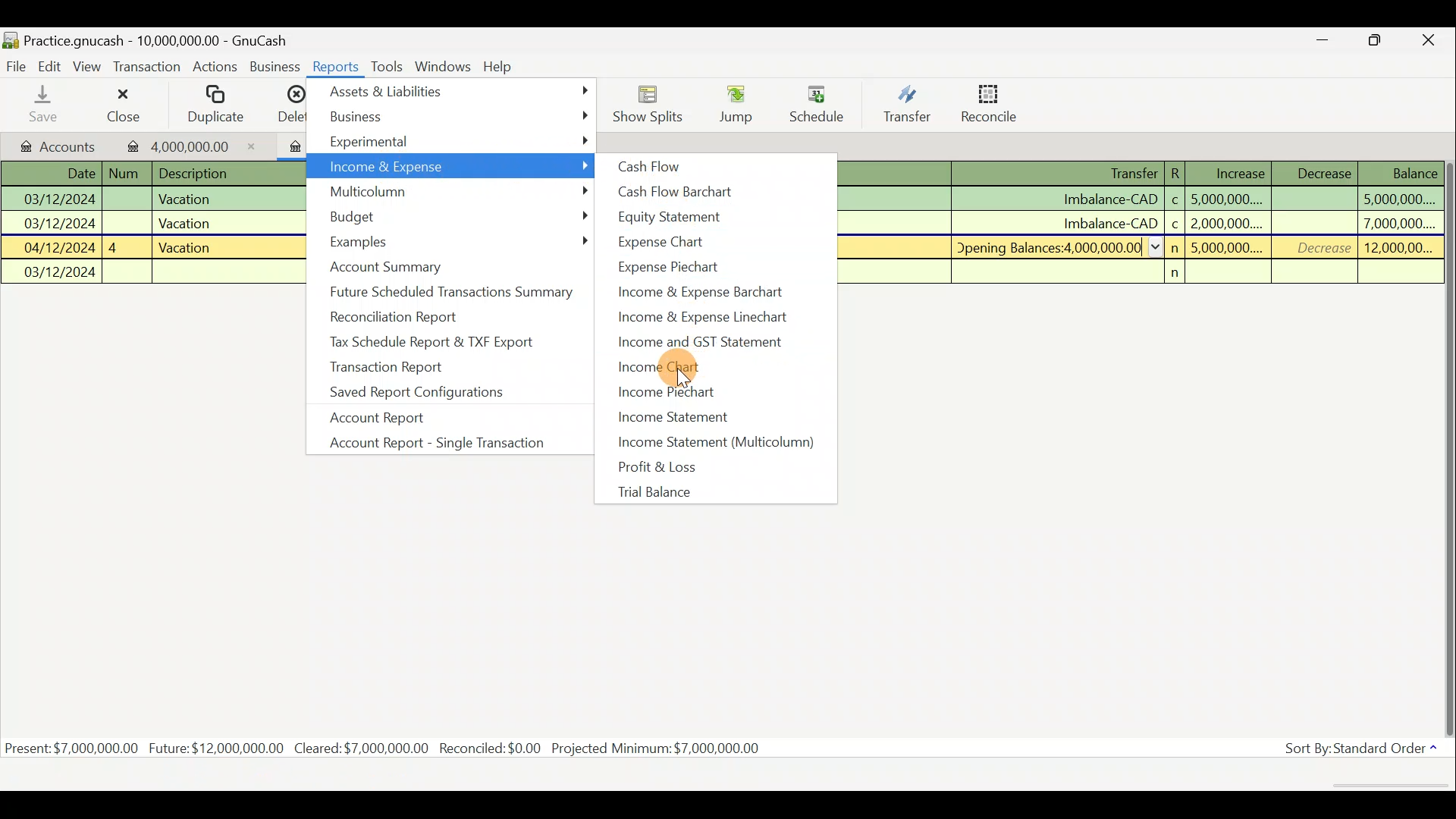 The width and height of the screenshot is (1456, 819). I want to click on Multicolumn, so click(457, 189).